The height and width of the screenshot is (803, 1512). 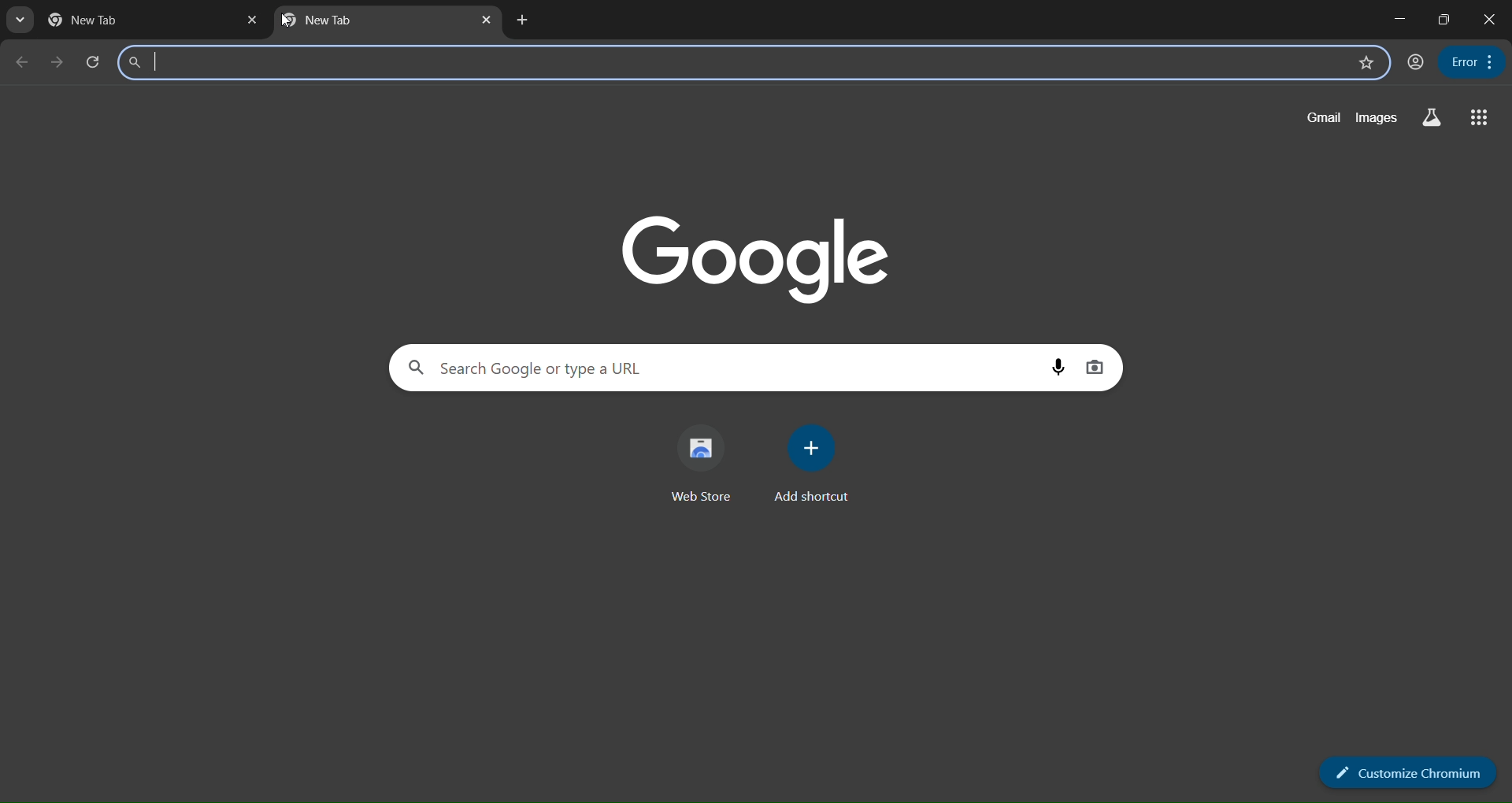 I want to click on search google or type a url, so click(x=720, y=368).